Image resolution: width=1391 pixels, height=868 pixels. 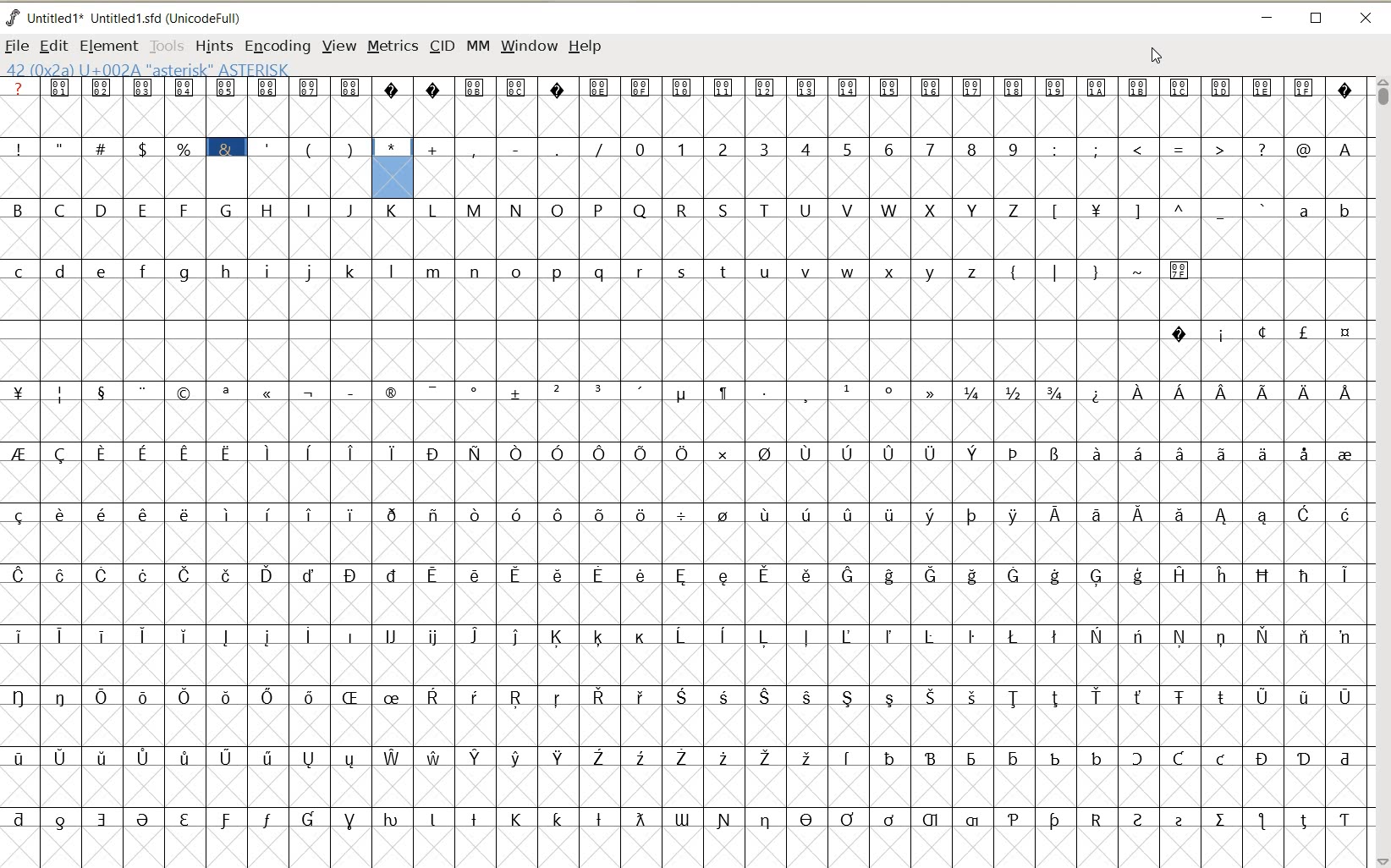 What do you see at coordinates (131, 19) in the screenshot?
I see `FONT NAME` at bounding box center [131, 19].